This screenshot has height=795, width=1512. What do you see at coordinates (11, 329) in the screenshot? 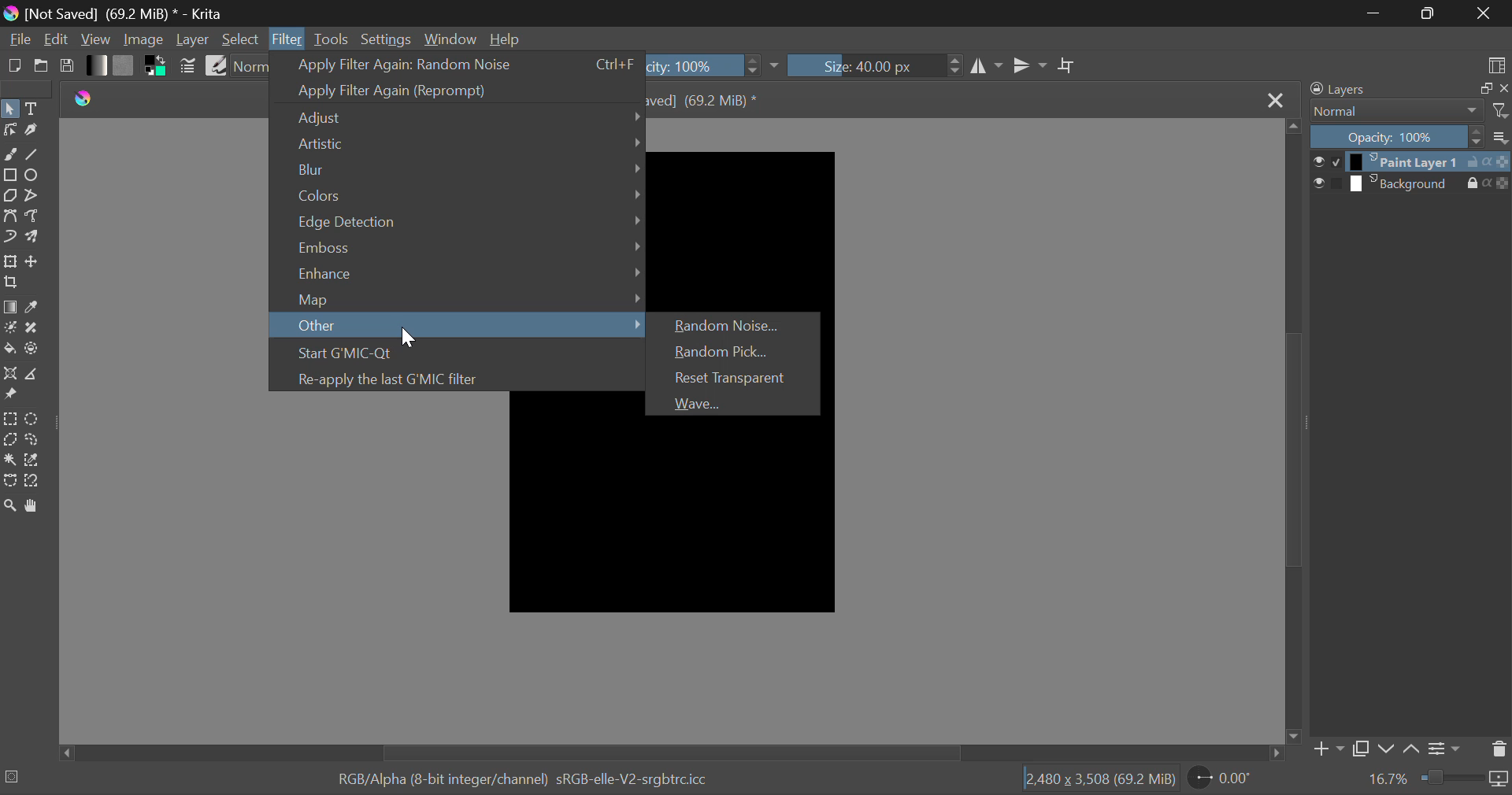
I see `Colorize Mask Tool` at bounding box center [11, 329].